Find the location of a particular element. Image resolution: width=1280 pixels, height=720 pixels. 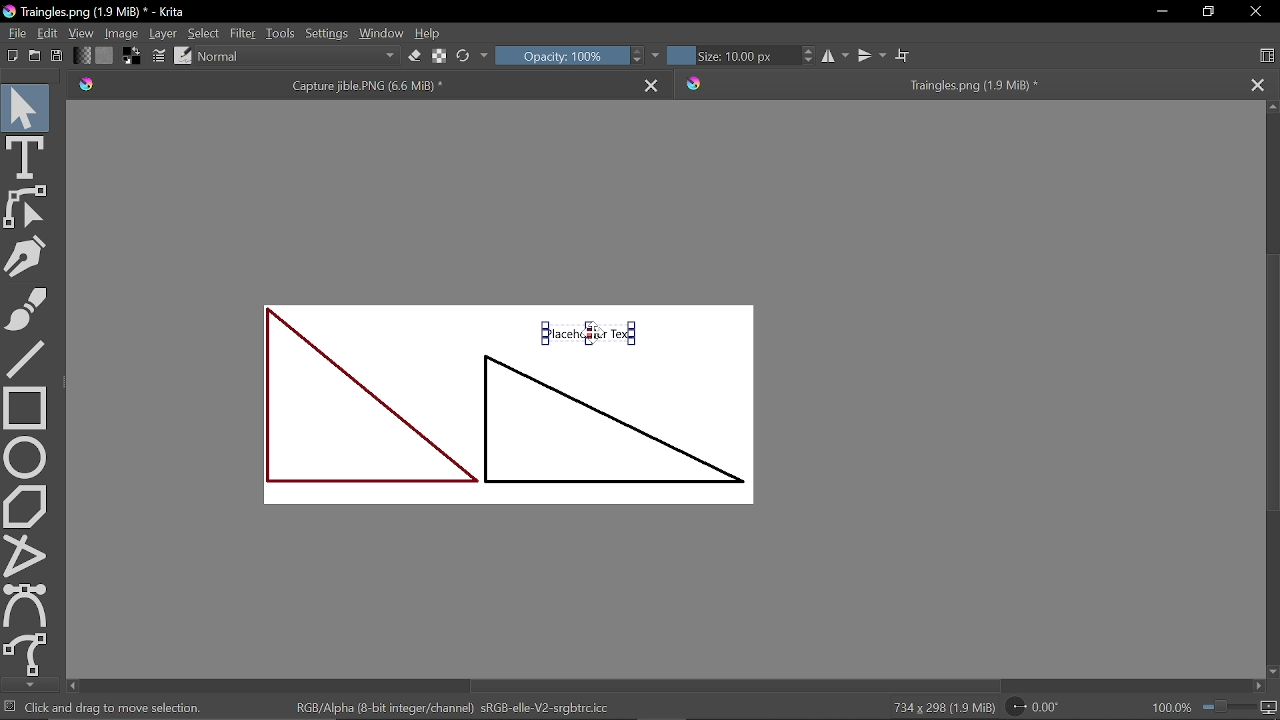

Rotate is located at coordinates (1033, 708).